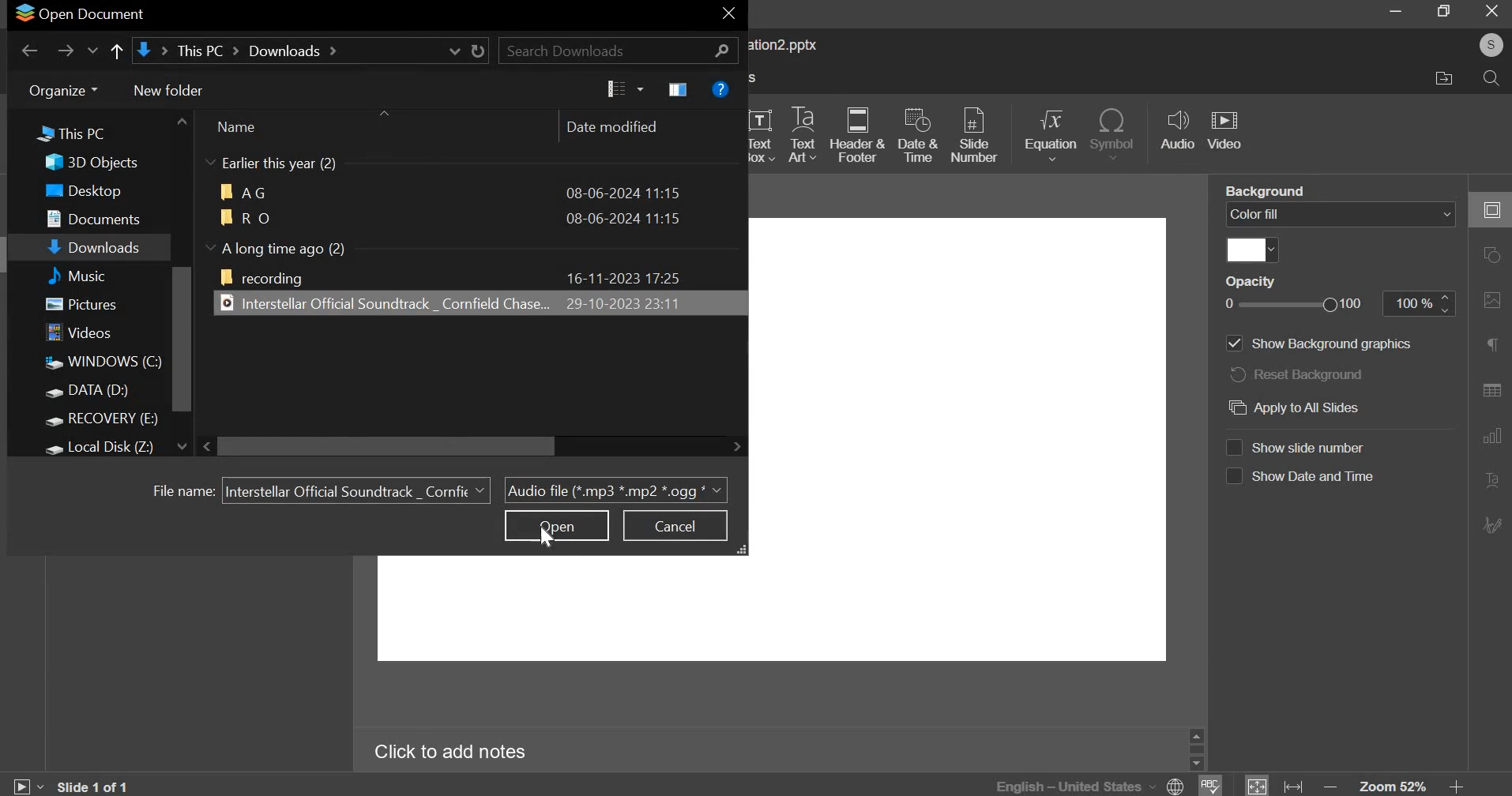 Image resolution: width=1512 pixels, height=796 pixels. Describe the element at coordinates (1317, 344) in the screenshot. I see `show background graphics` at that location.